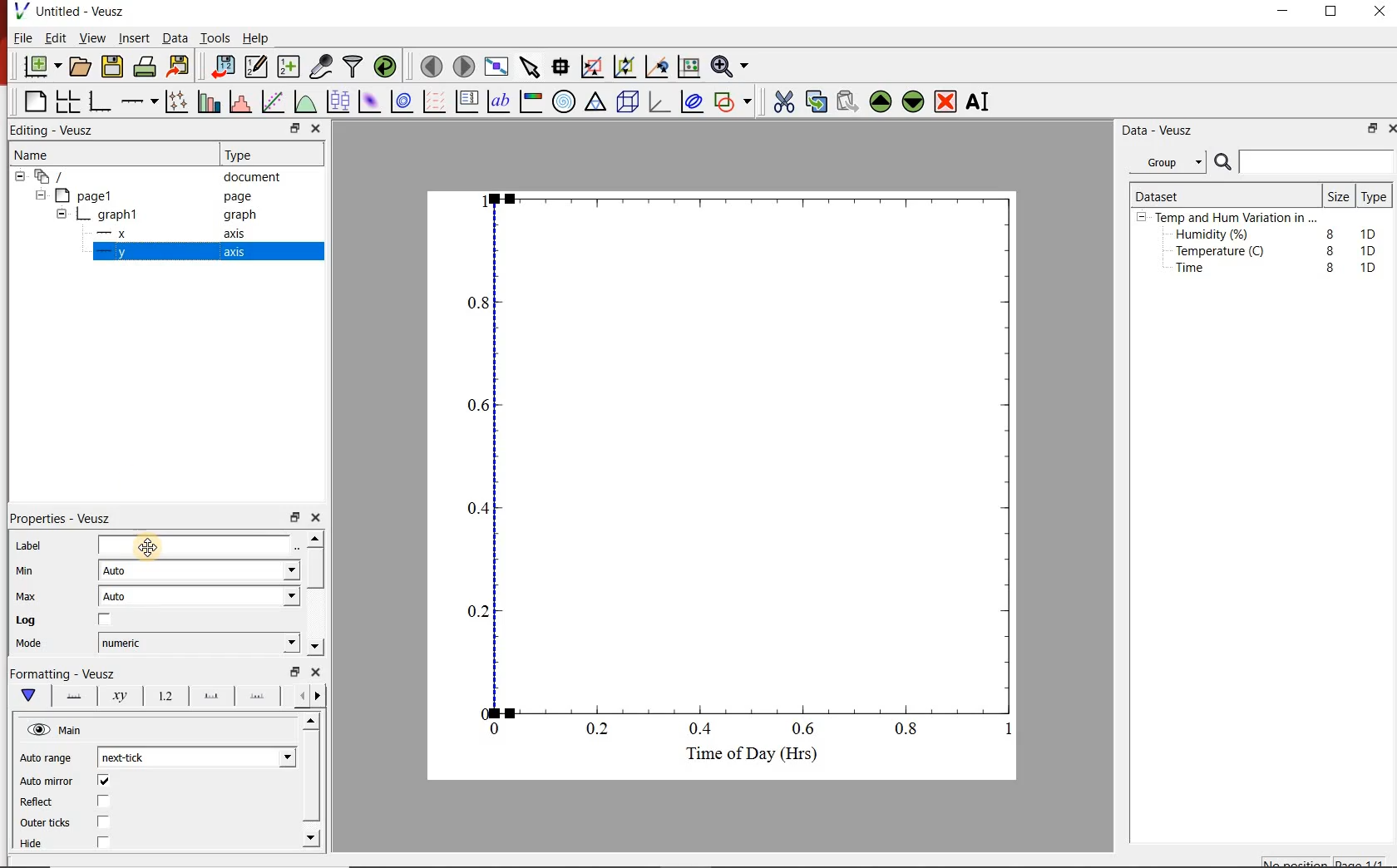  I want to click on axis line, so click(75, 697).